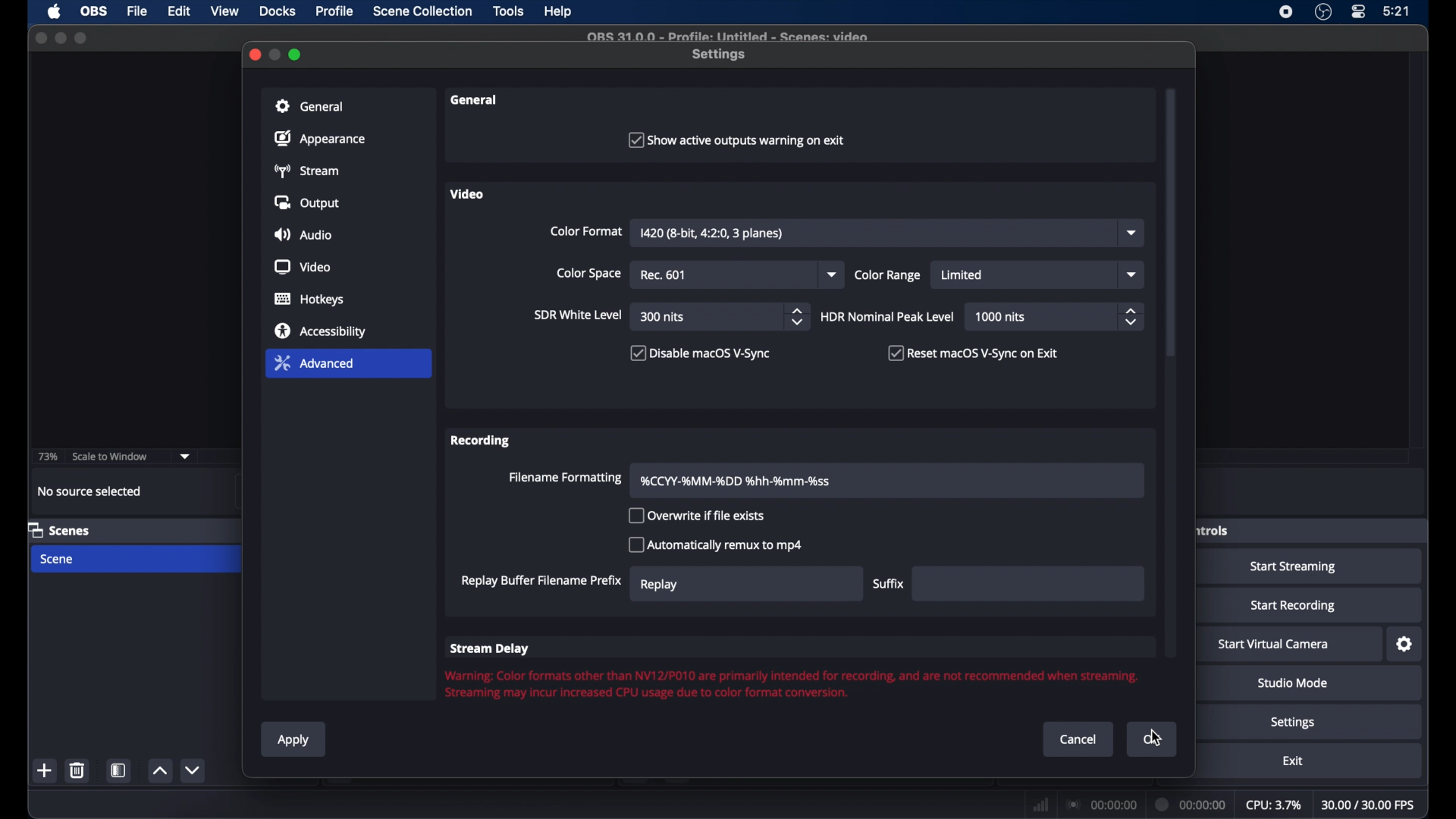 The height and width of the screenshot is (819, 1456). What do you see at coordinates (178, 12) in the screenshot?
I see `edit` at bounding box center [178, 12].